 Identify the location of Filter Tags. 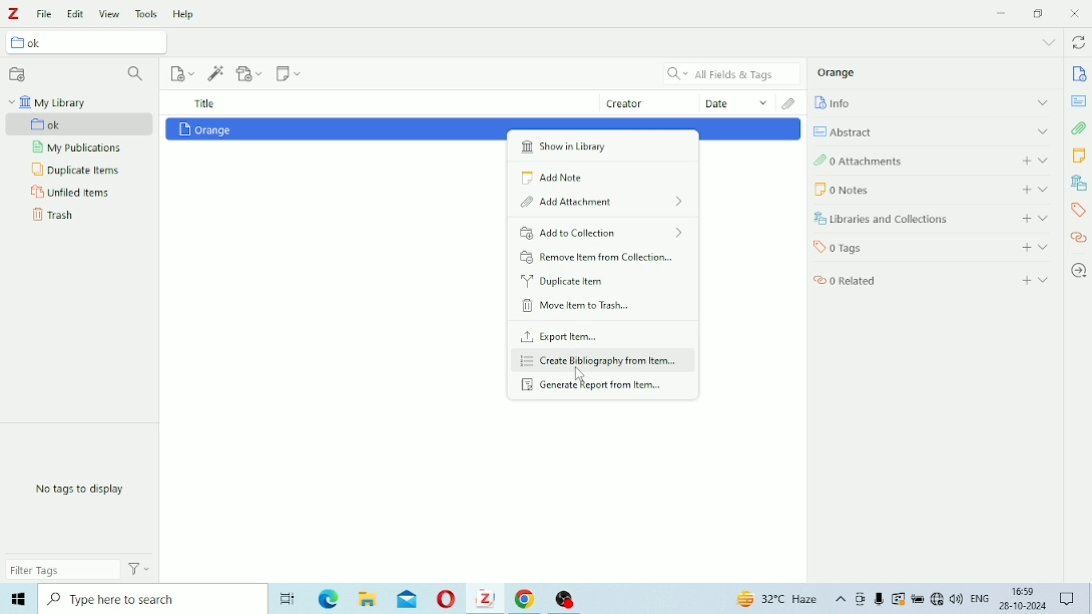
(63, 569).